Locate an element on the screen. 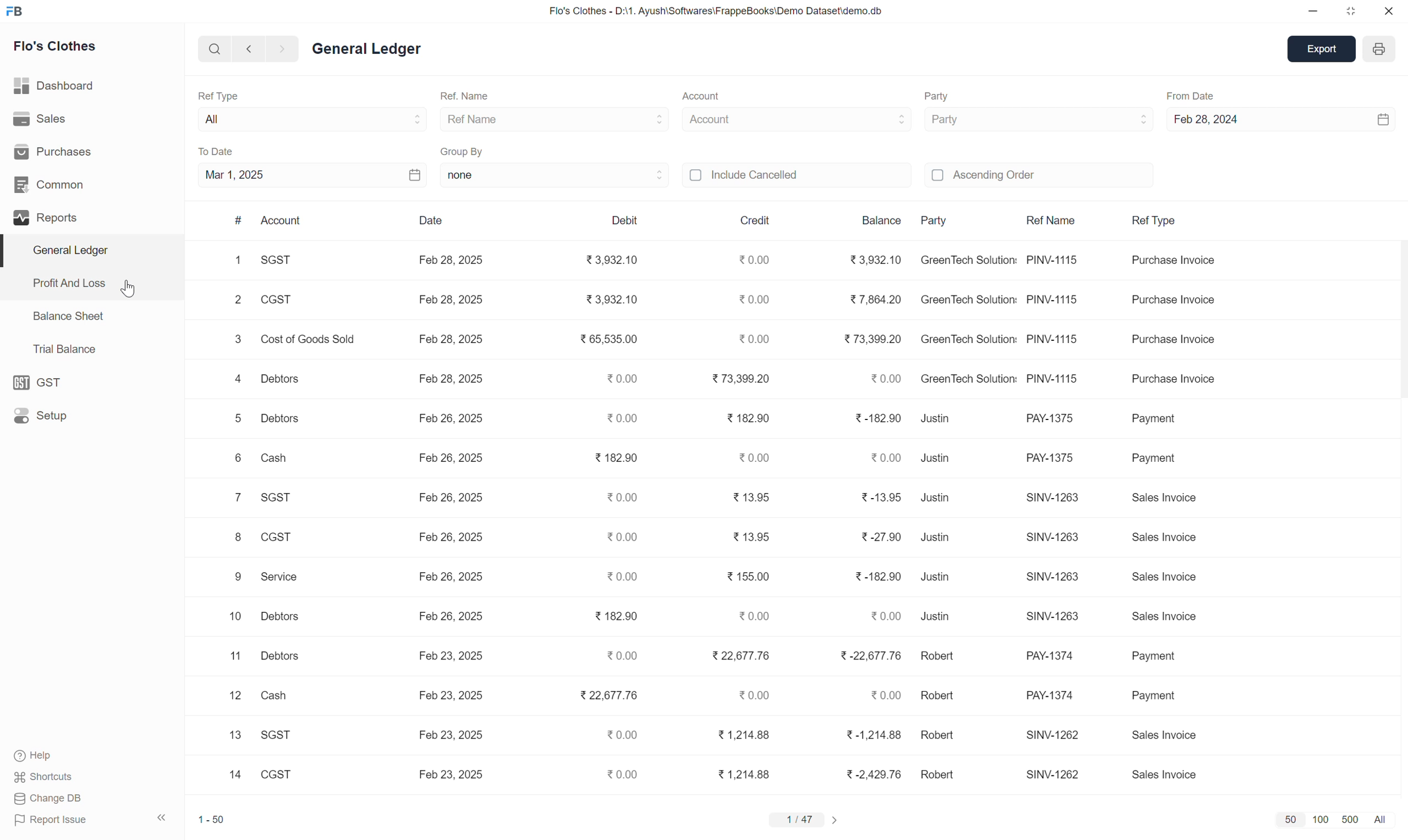  From Date is located at coordinates (1193, 93).